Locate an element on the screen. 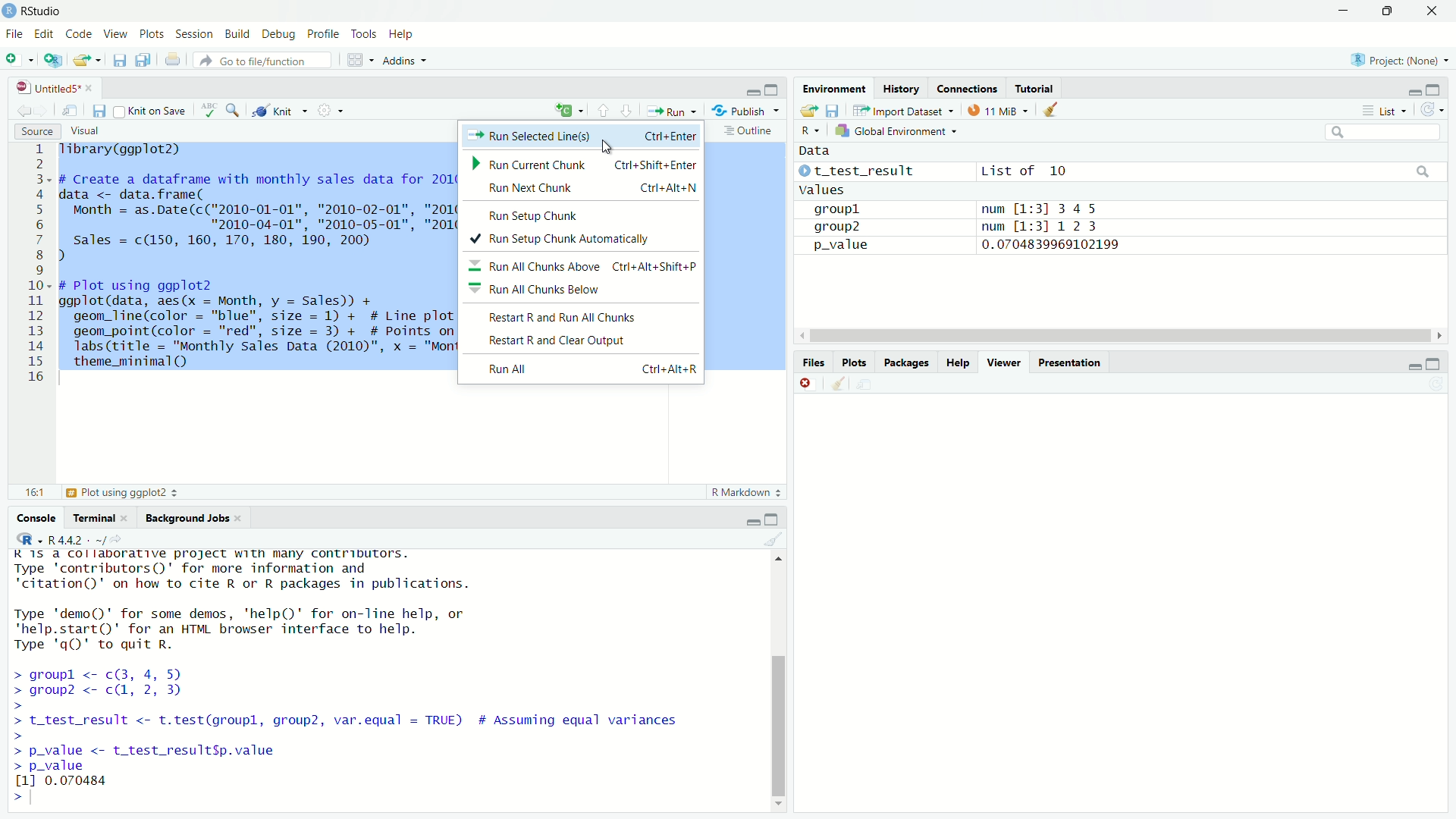 The image size is (1456, 819). open an existing file is located at coordinates (88, 61).